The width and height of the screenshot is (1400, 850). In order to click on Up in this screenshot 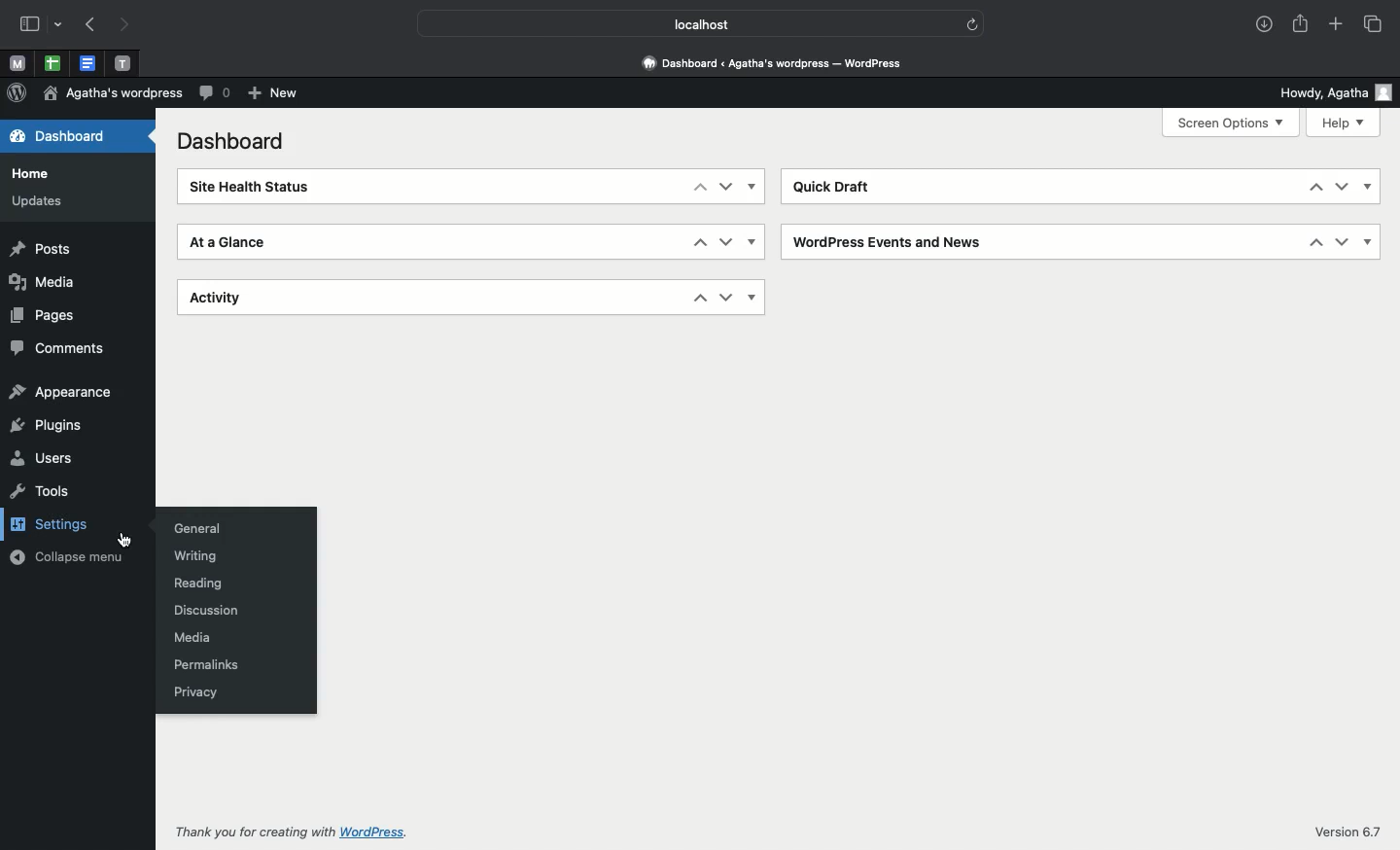, I will do `click(1319, 189)`.